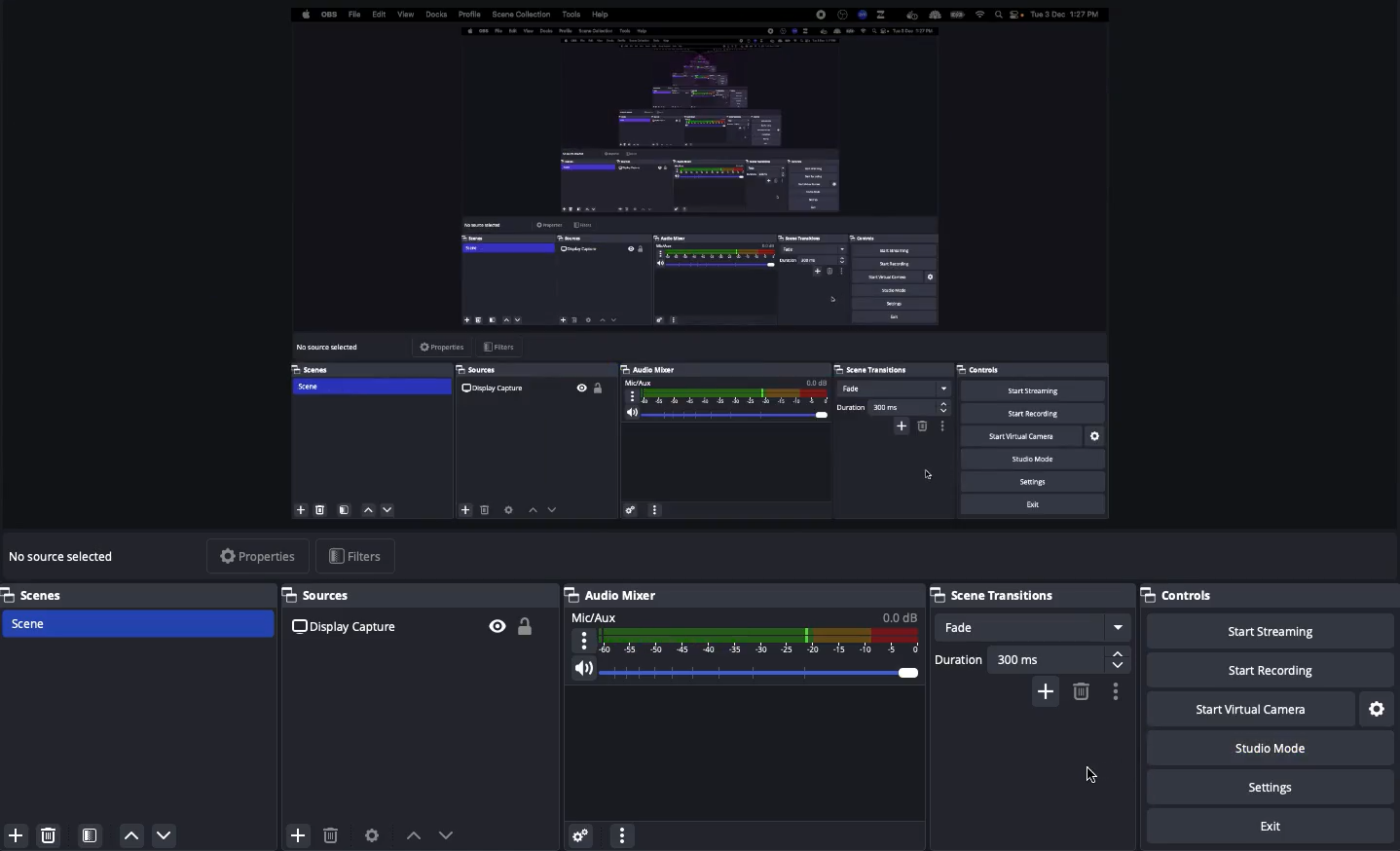  Describe the element at coordinates (1269, 746) in the screenshot. I see `Studio mode off` at that location.